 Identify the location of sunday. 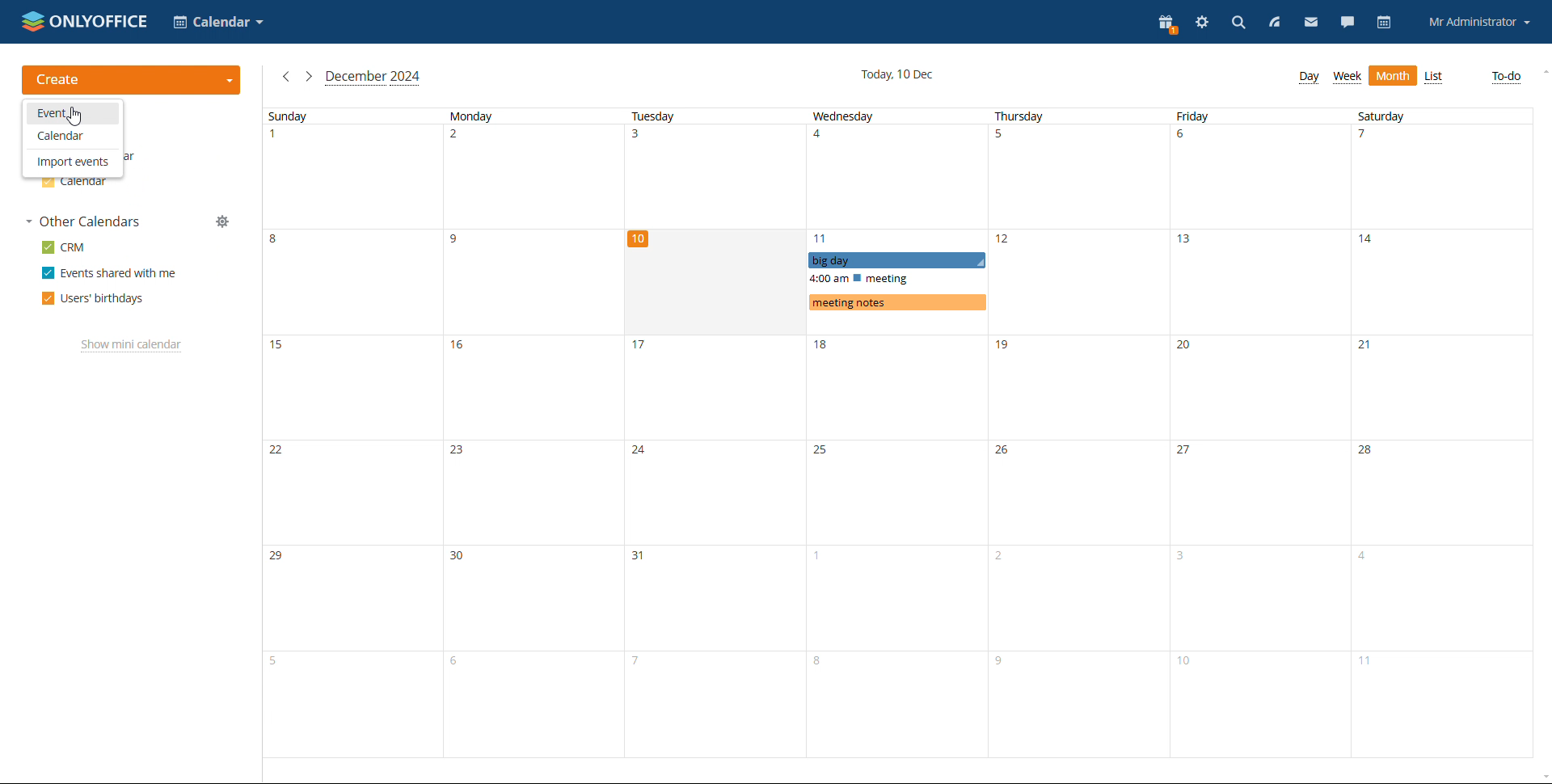
(352, 432).